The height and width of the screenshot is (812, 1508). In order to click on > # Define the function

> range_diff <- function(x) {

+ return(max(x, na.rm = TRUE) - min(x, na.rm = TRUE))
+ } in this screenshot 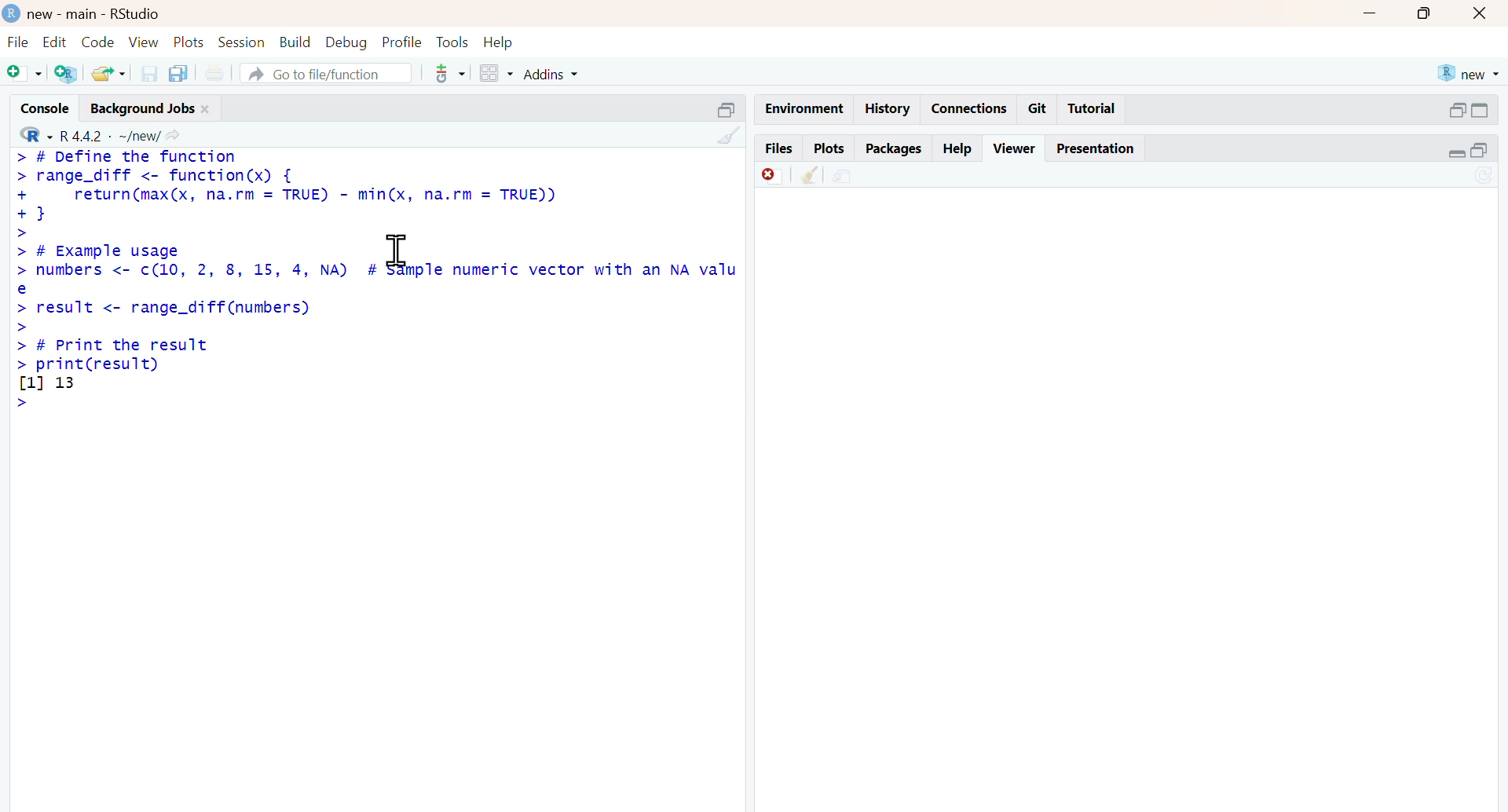, I will do `click(286, 188)`.